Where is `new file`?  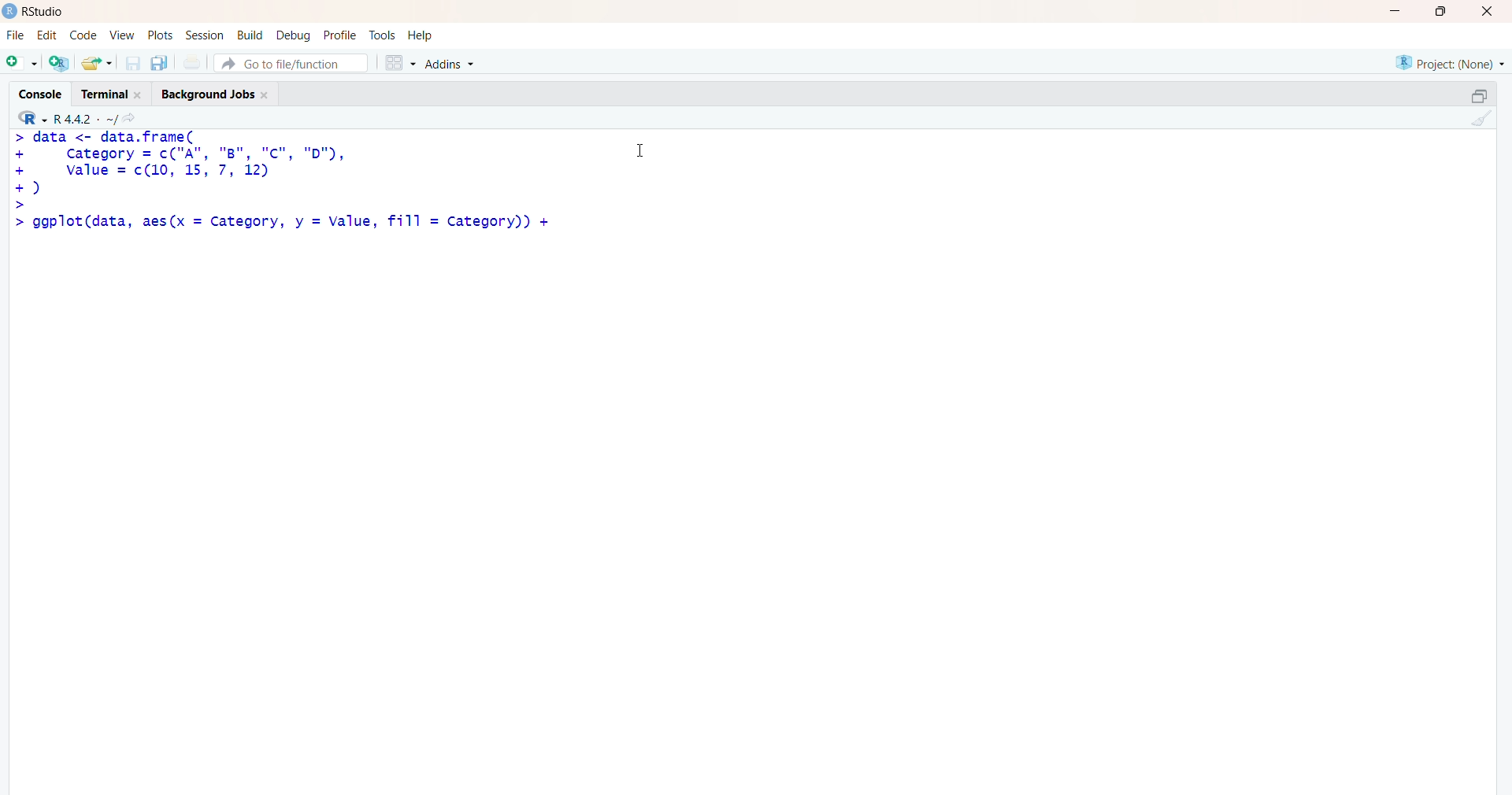 new file is located at coordinates (21, 61).